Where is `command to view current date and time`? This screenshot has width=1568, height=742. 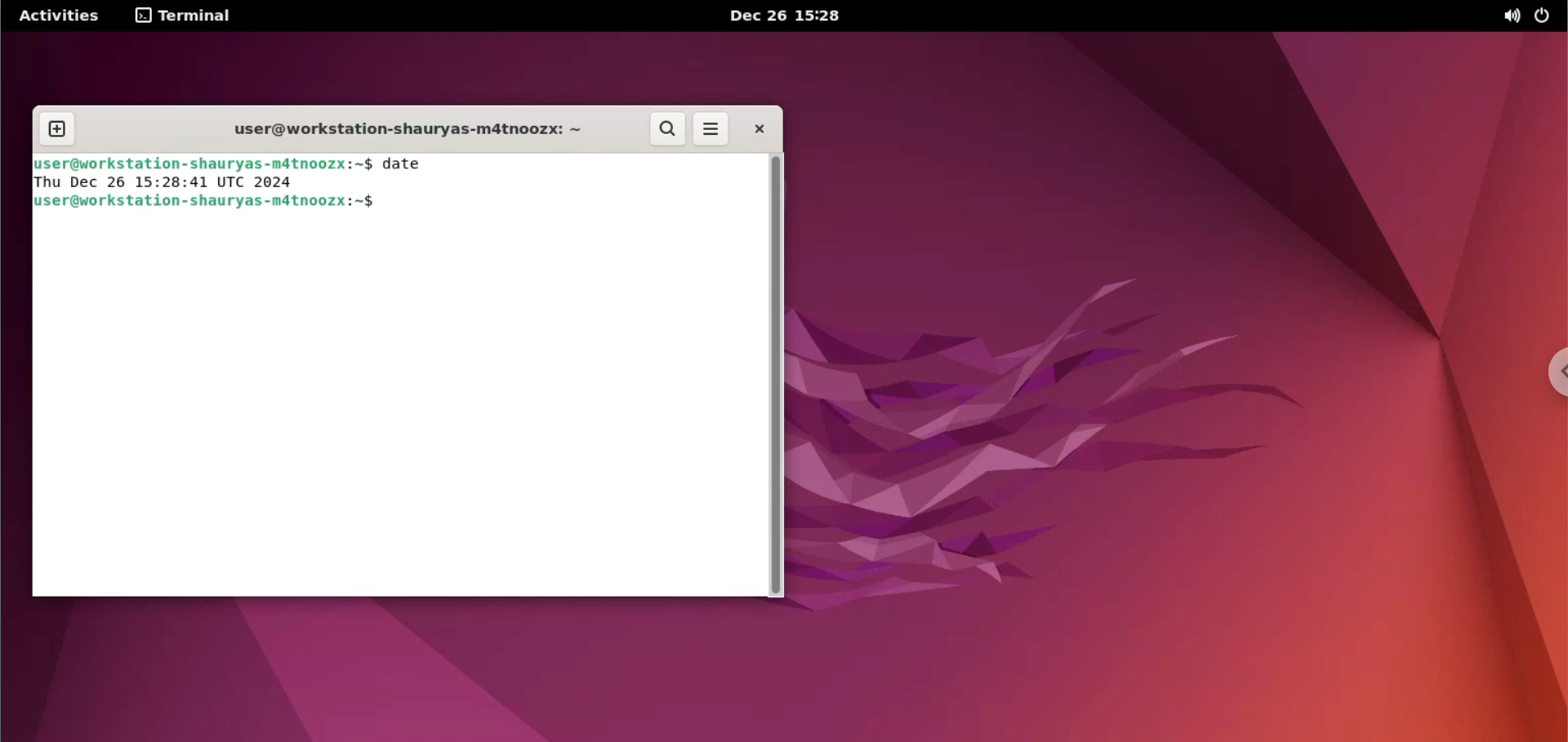
command to view current date and time is located at coordinates (404, 165).